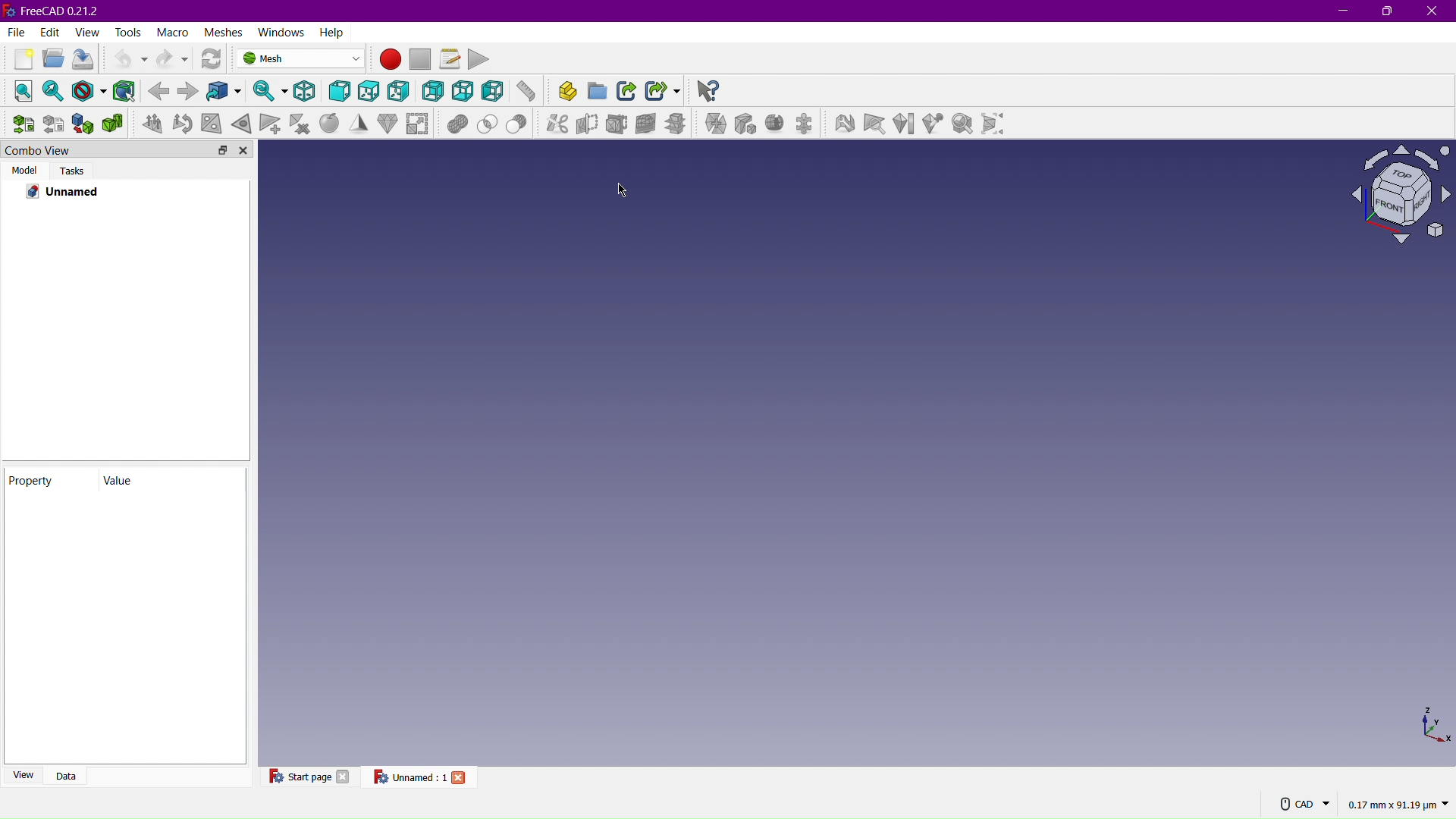 Image resolution: width=1456 pixels, height=819 pixels. I want to click on Front, so click(340, 93).